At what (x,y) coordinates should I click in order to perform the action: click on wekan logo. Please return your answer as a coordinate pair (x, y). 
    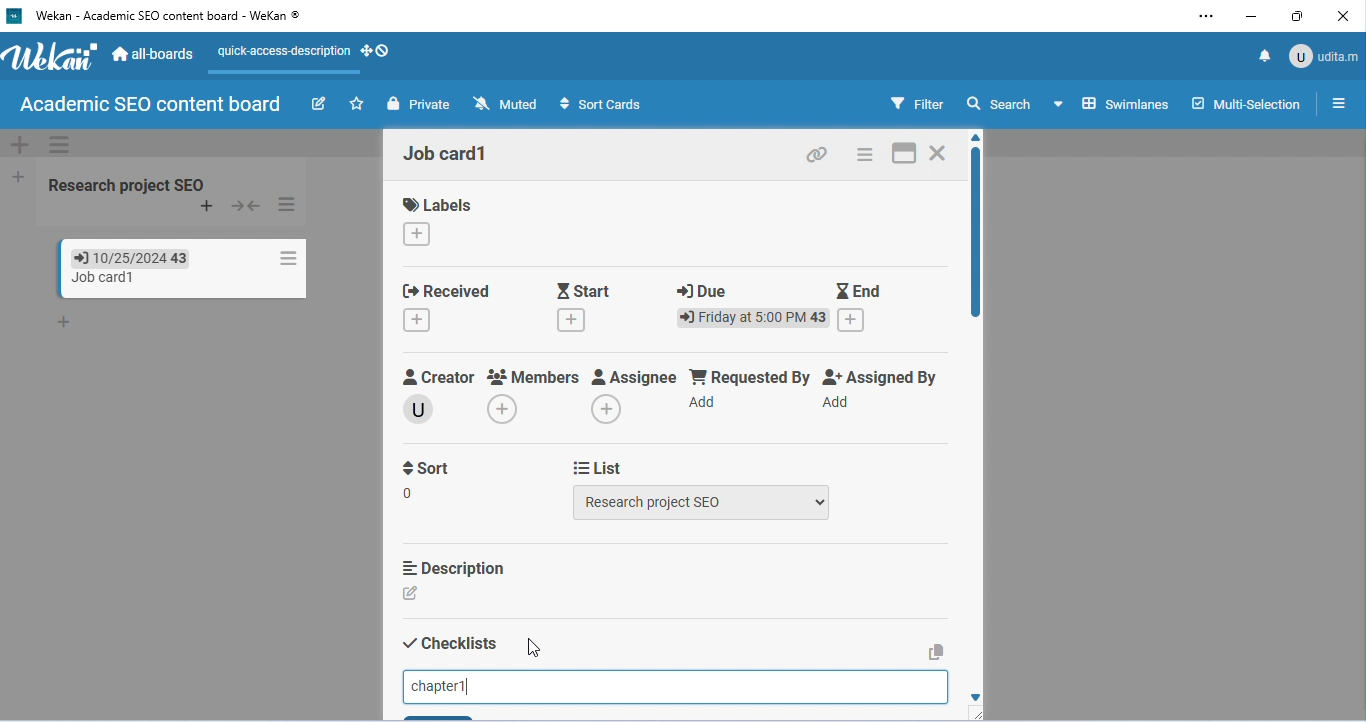
    Looking at the image, I should click on (52, 60).